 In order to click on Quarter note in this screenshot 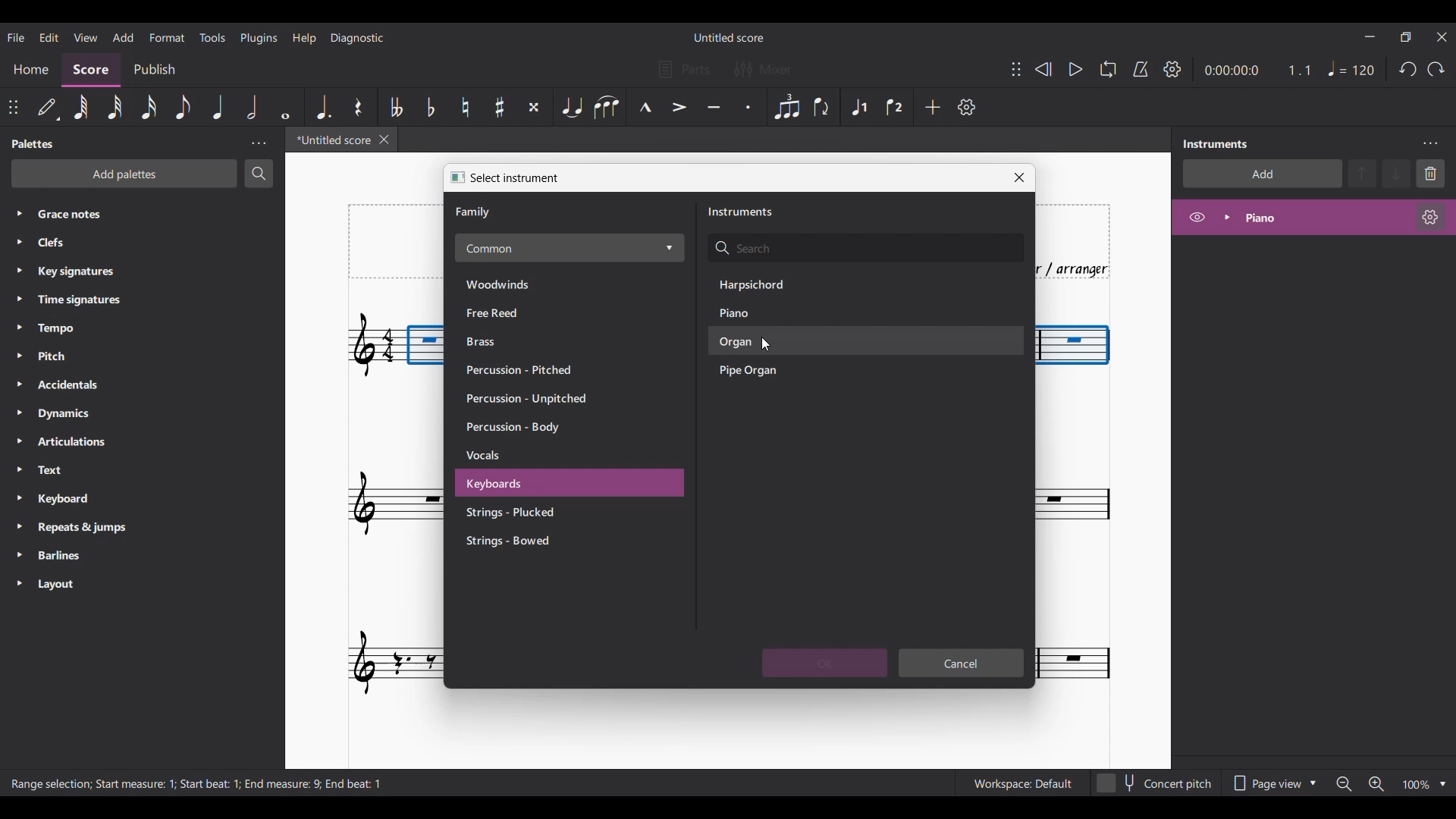, I will do `click(218, 107)`.